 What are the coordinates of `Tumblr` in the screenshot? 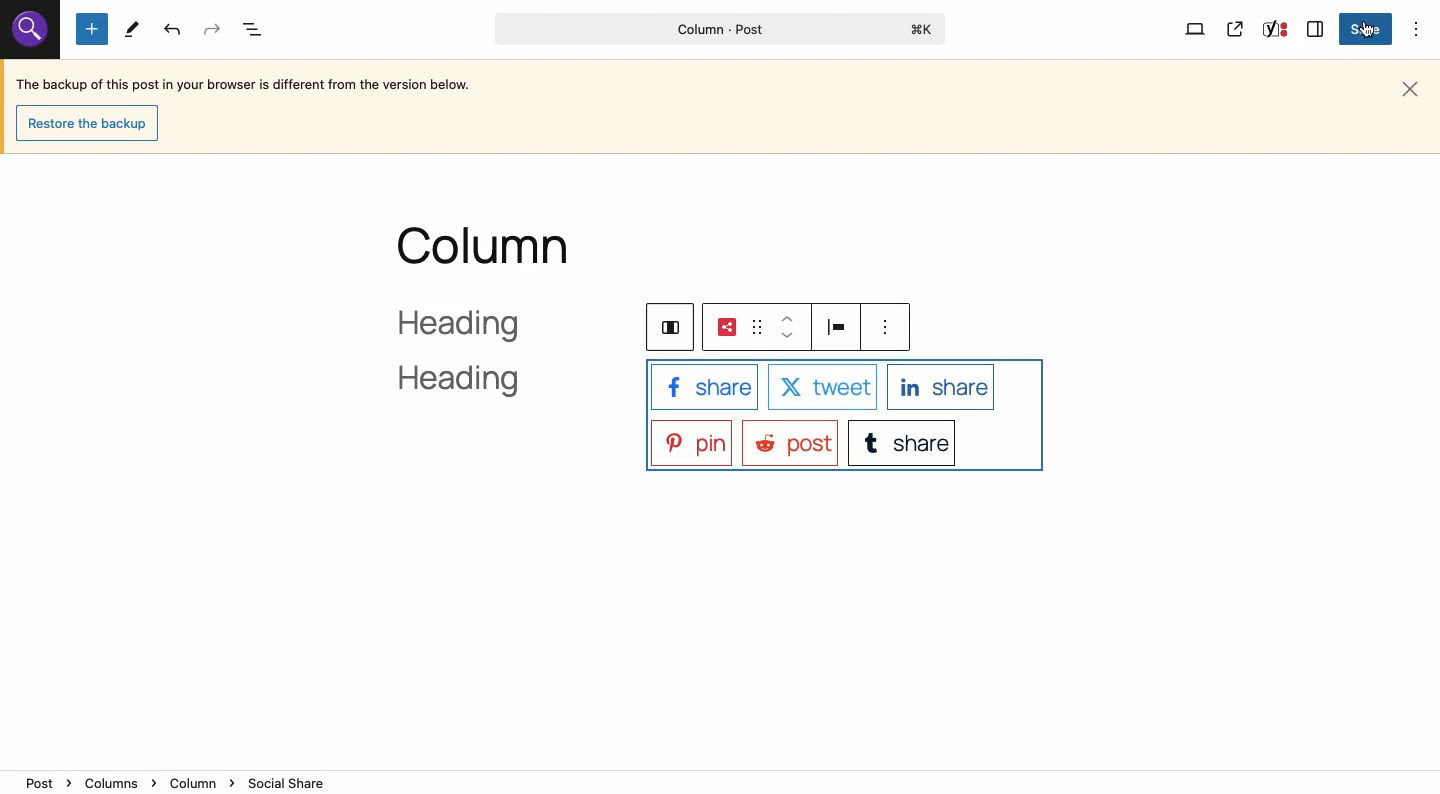 It's located at (904, 441).